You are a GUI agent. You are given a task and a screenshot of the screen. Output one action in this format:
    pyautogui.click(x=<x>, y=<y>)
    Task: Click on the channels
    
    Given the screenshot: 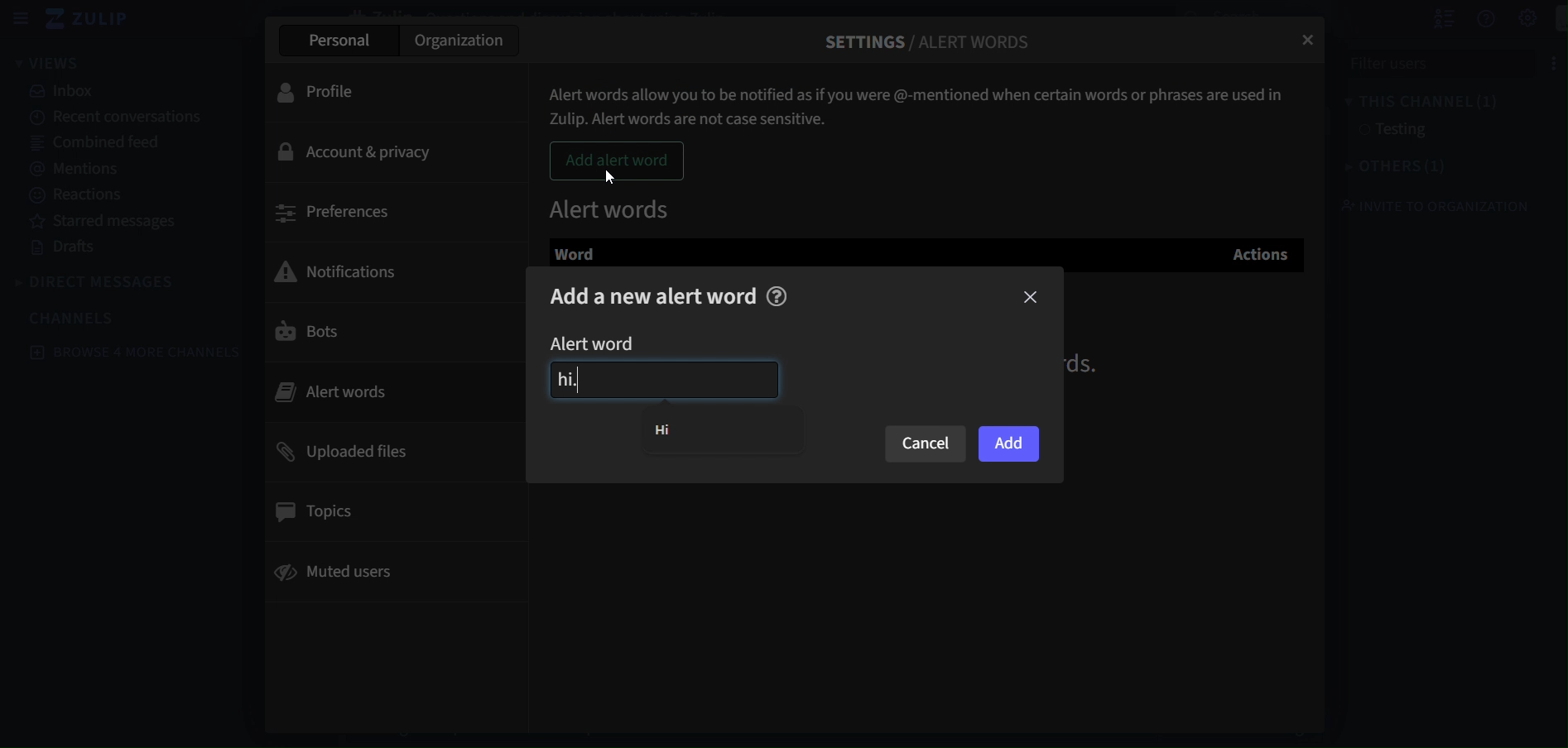 What is the action you would take?
    pyautogui.click(x=75, y=318)
    